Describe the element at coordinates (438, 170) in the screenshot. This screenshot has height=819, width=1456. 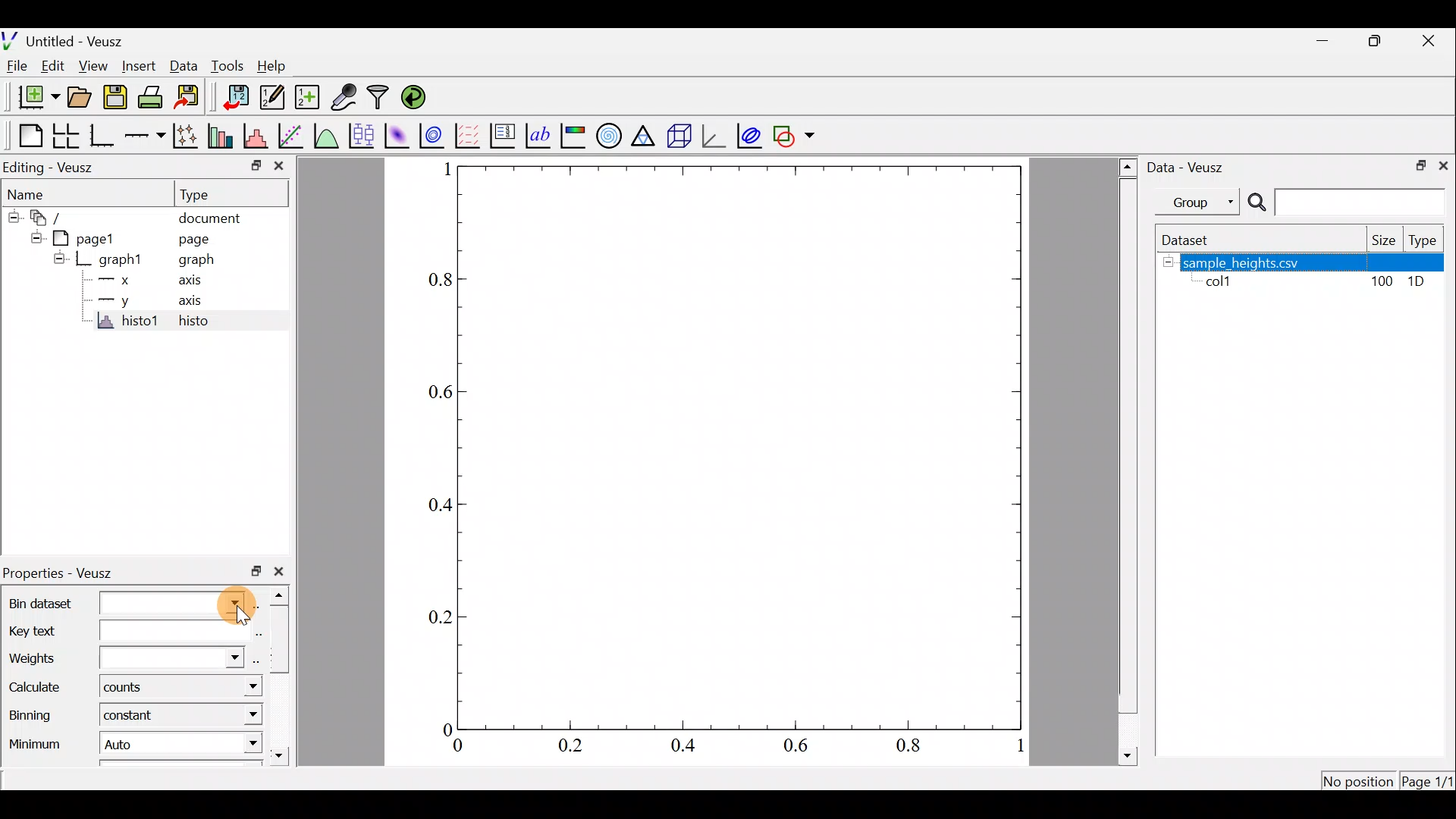
I see `1` at that location.